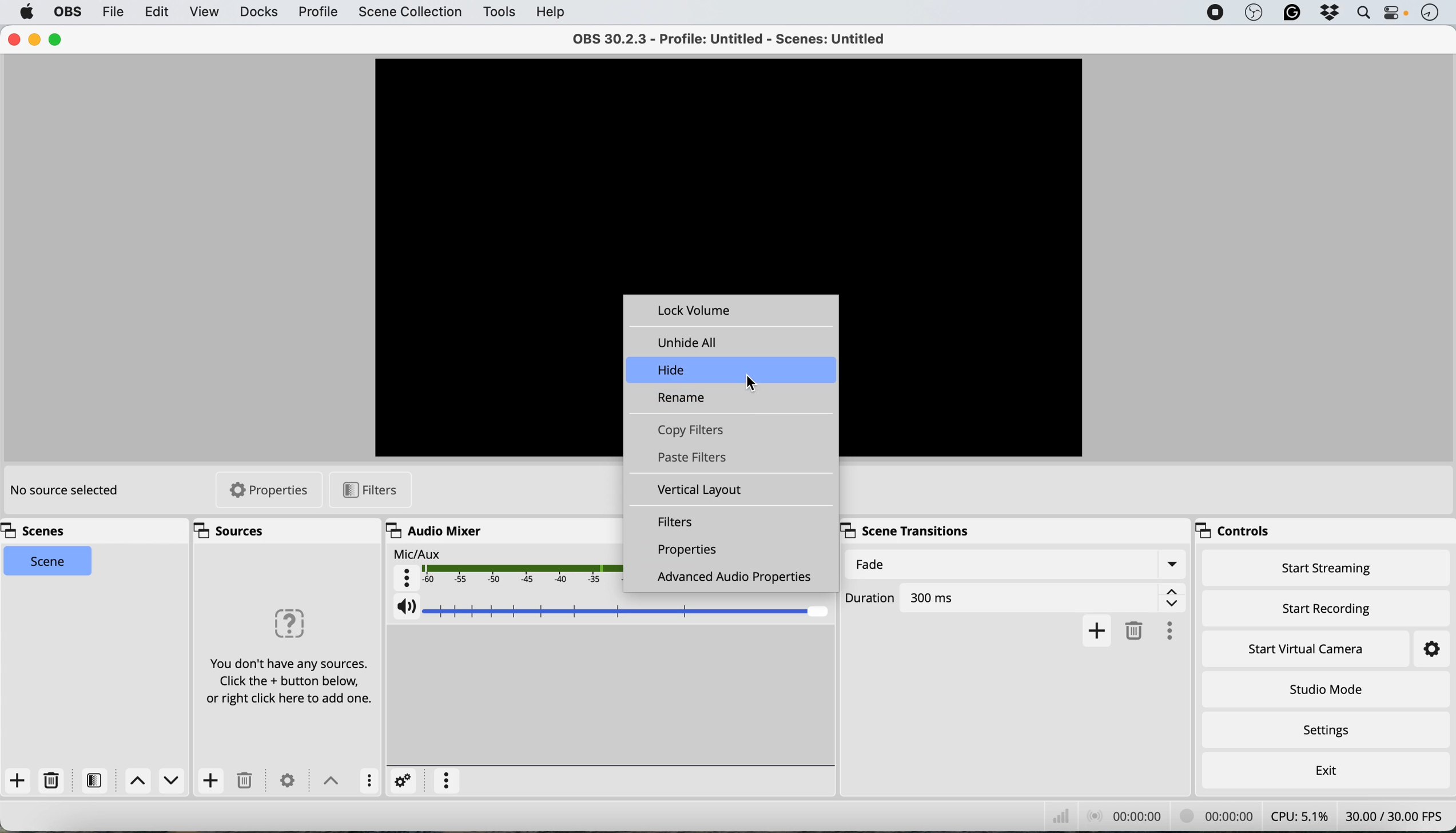 This screenshot has height=833, width=1456. I want to click on vertical layout, so click(704, 490).